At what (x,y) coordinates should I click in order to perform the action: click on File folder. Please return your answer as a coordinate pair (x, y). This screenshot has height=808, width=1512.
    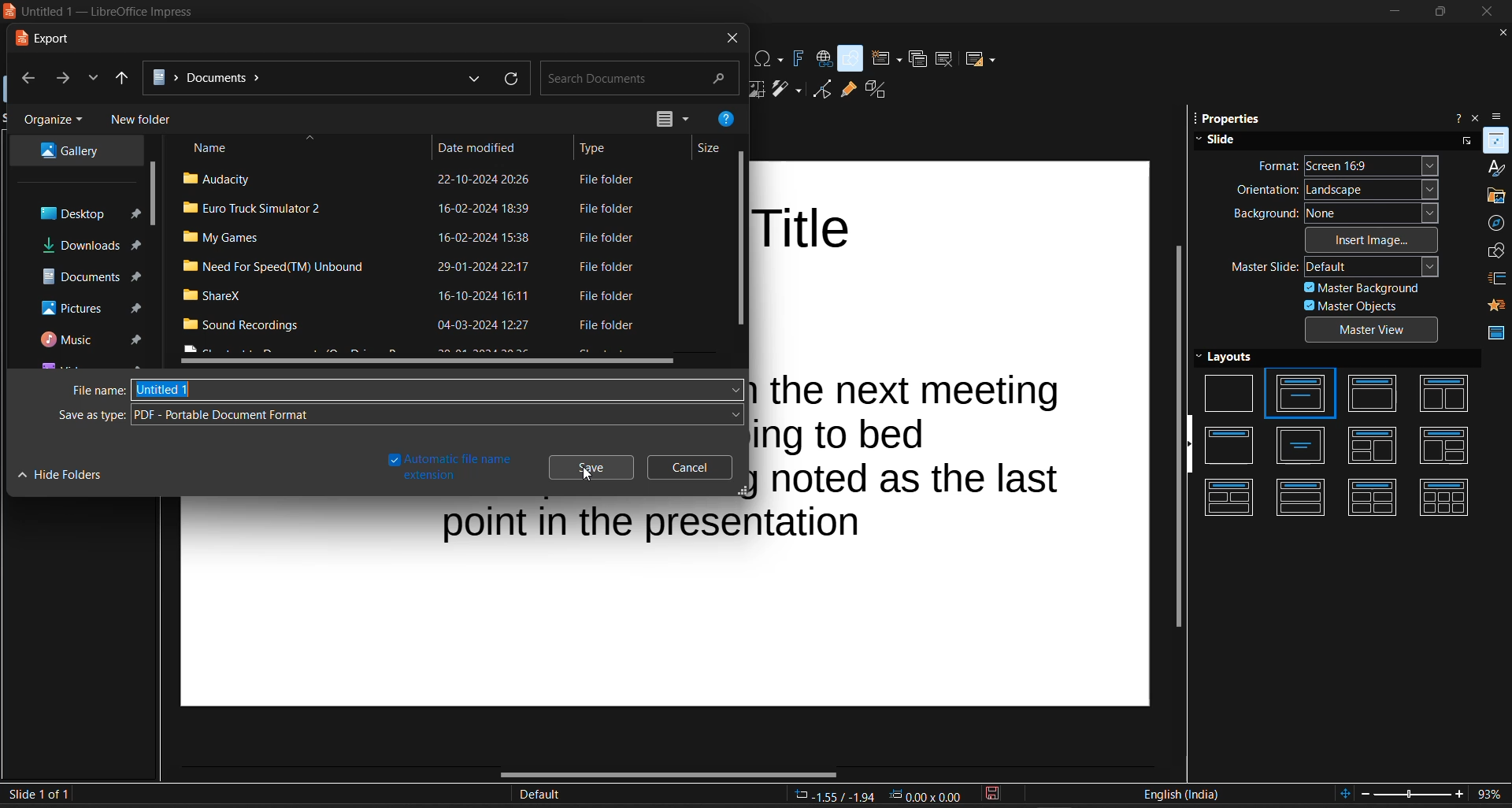
    Looking at the image, I should click on (607, 180).